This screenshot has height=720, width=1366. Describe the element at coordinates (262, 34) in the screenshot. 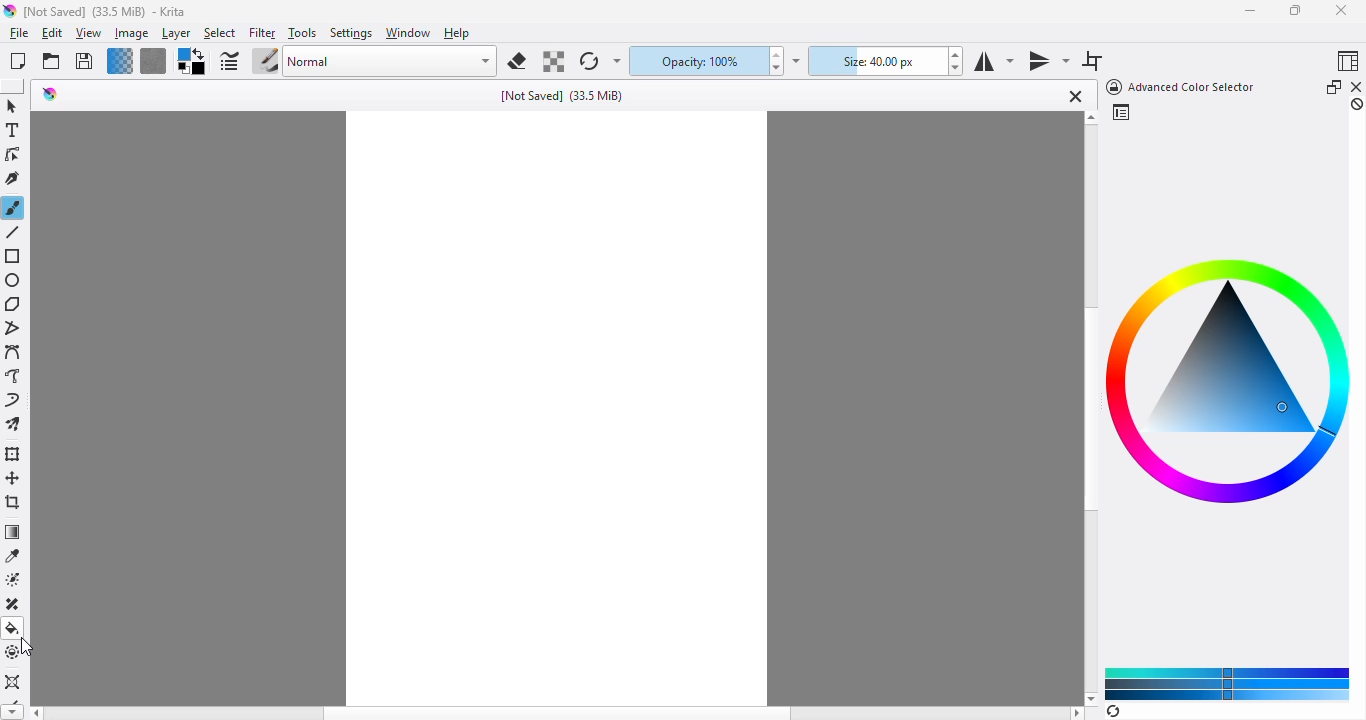

I see `filter` at that location.